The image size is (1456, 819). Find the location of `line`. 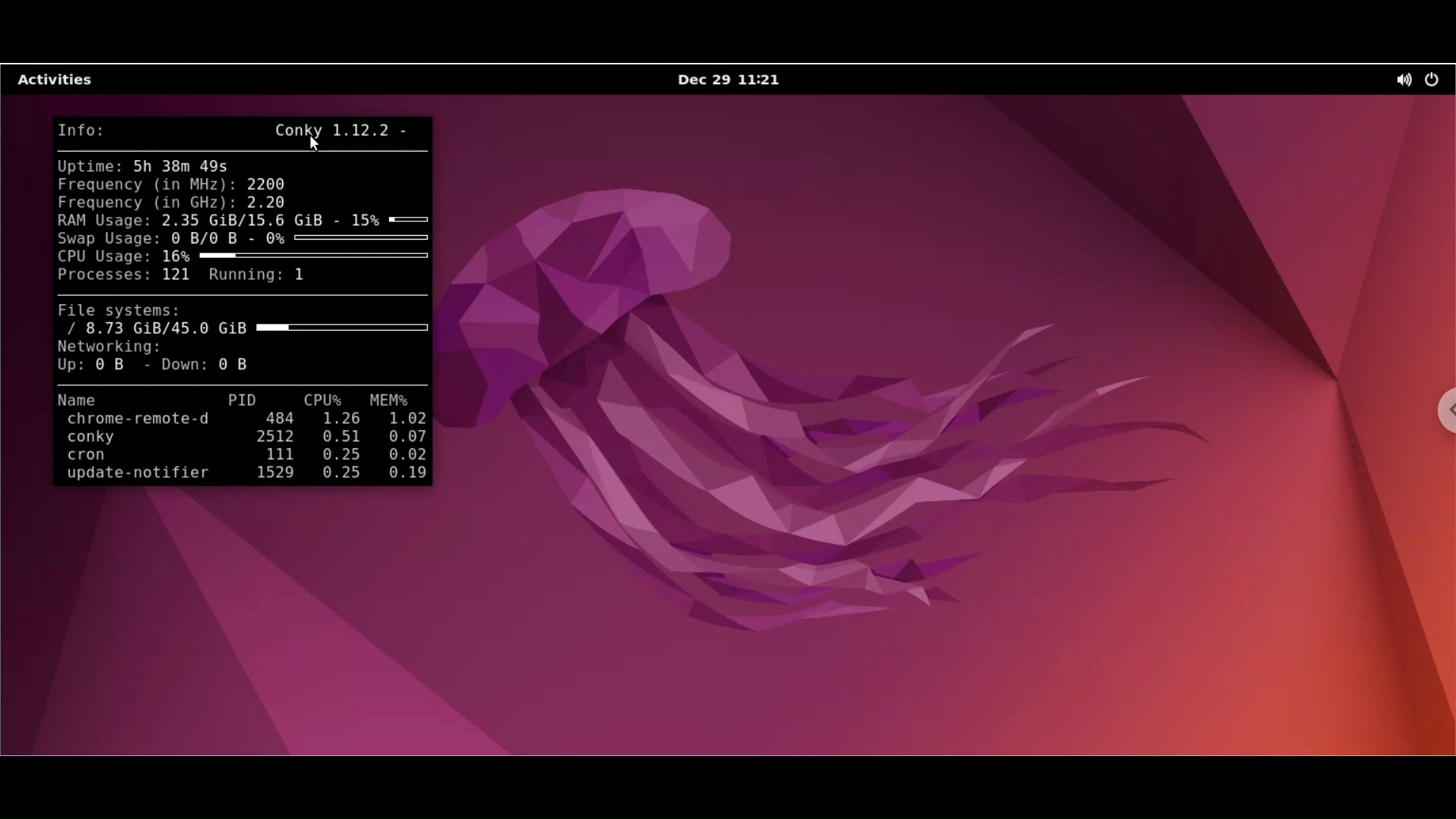

line is located at coordinates (242, 384).